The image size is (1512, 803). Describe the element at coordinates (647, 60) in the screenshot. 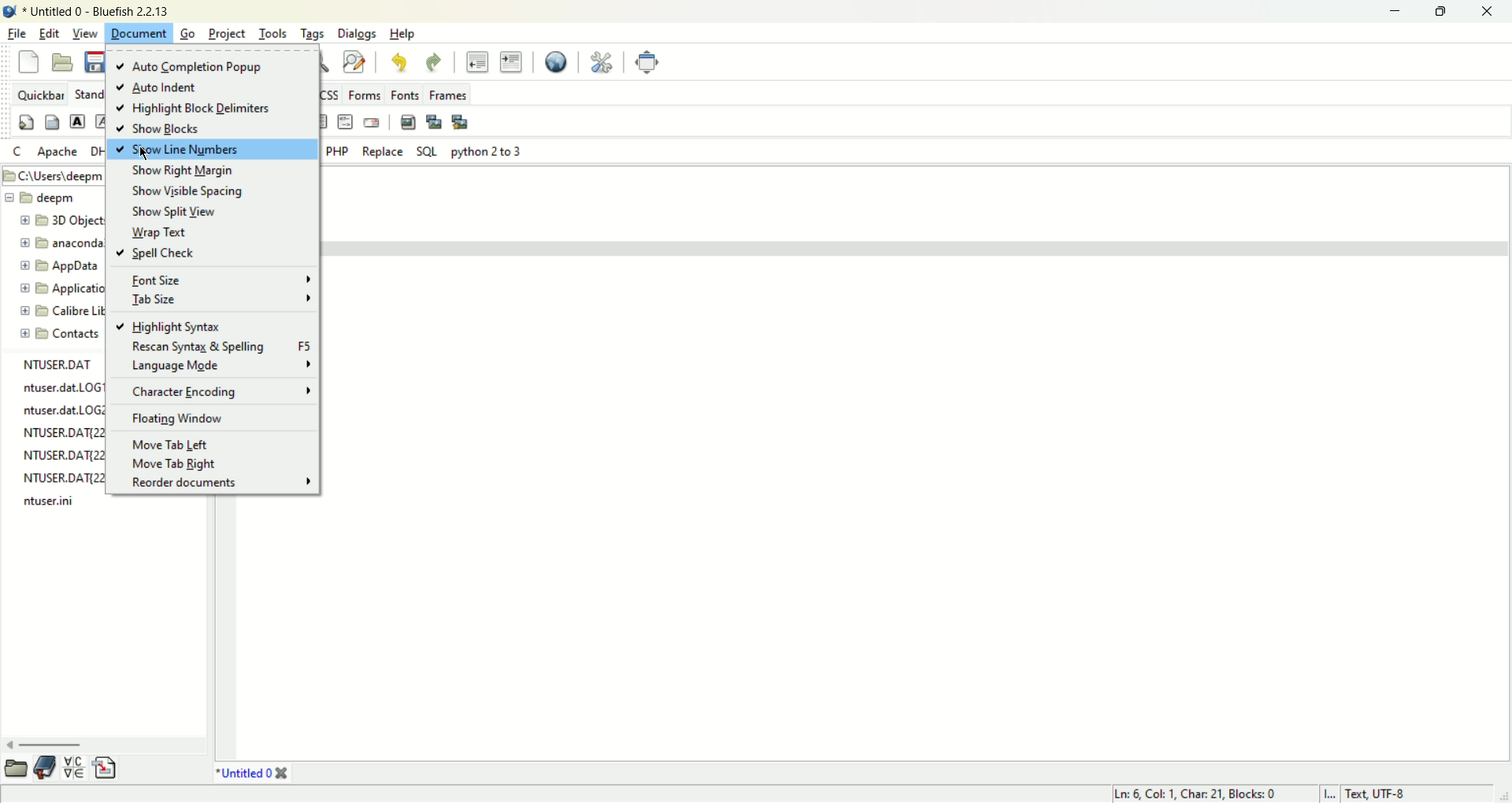

I see `fullscreen` at that location.